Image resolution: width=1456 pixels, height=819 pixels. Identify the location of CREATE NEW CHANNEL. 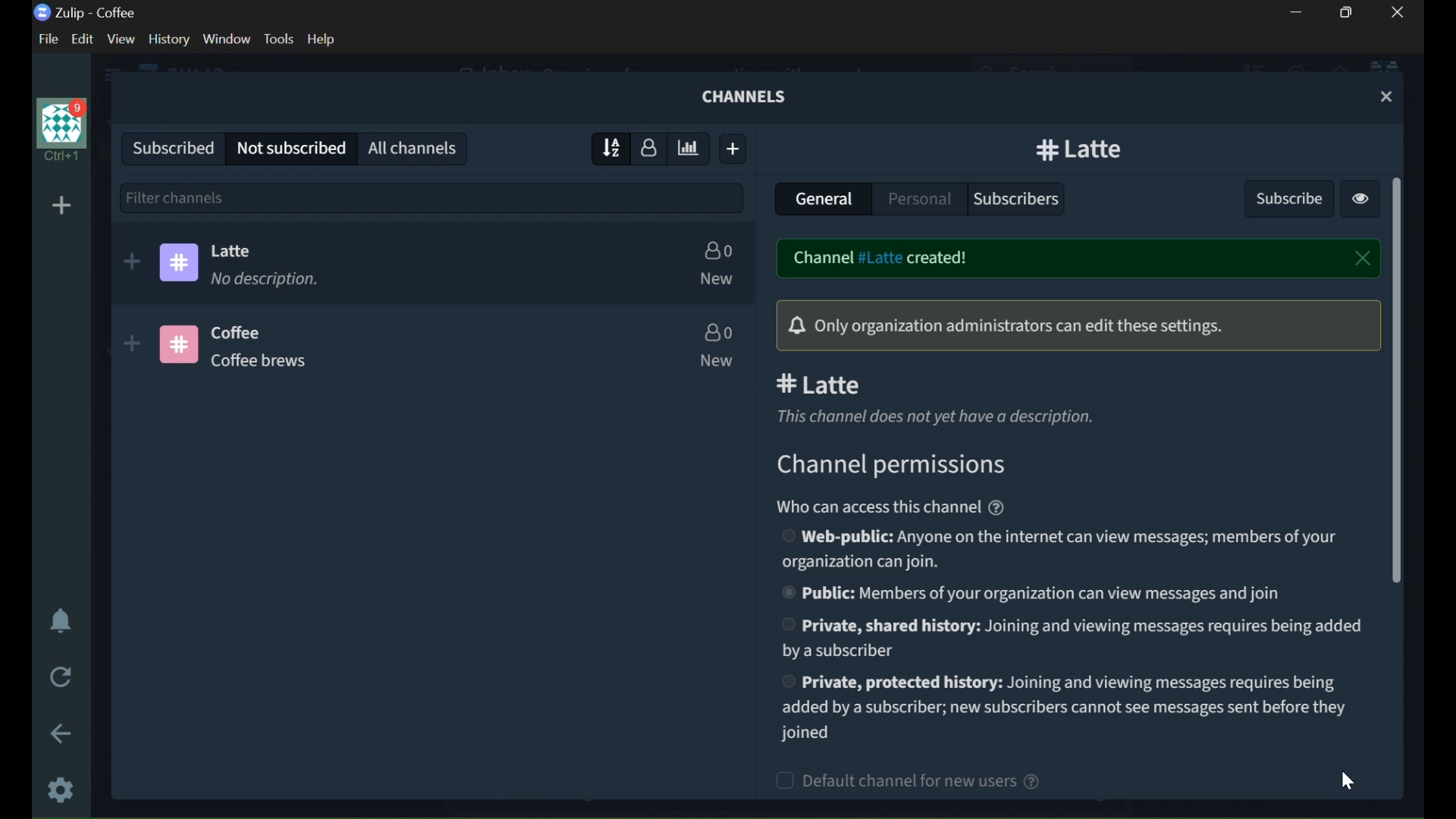
(736, 149).